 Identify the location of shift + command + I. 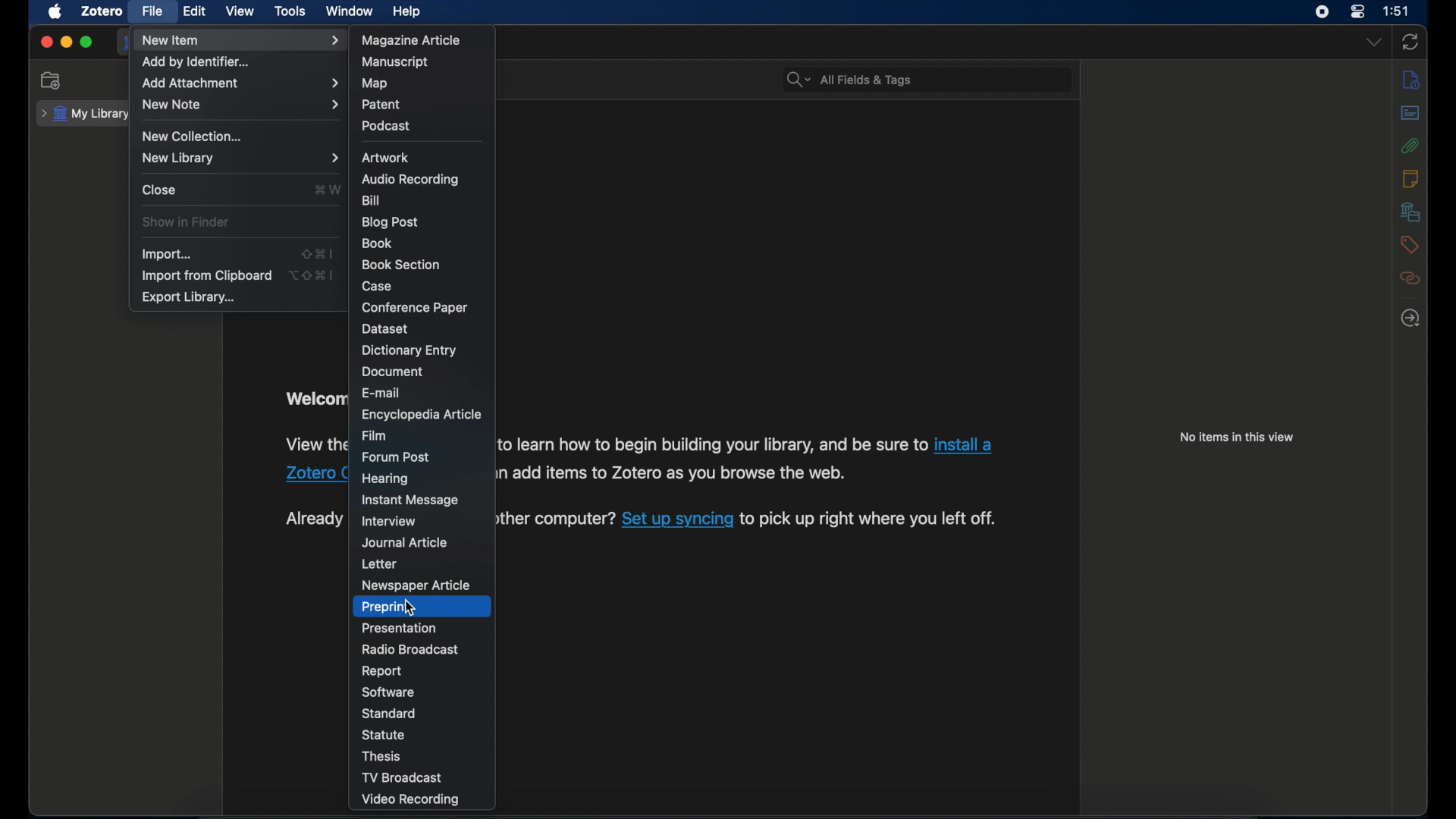
(317, 253).